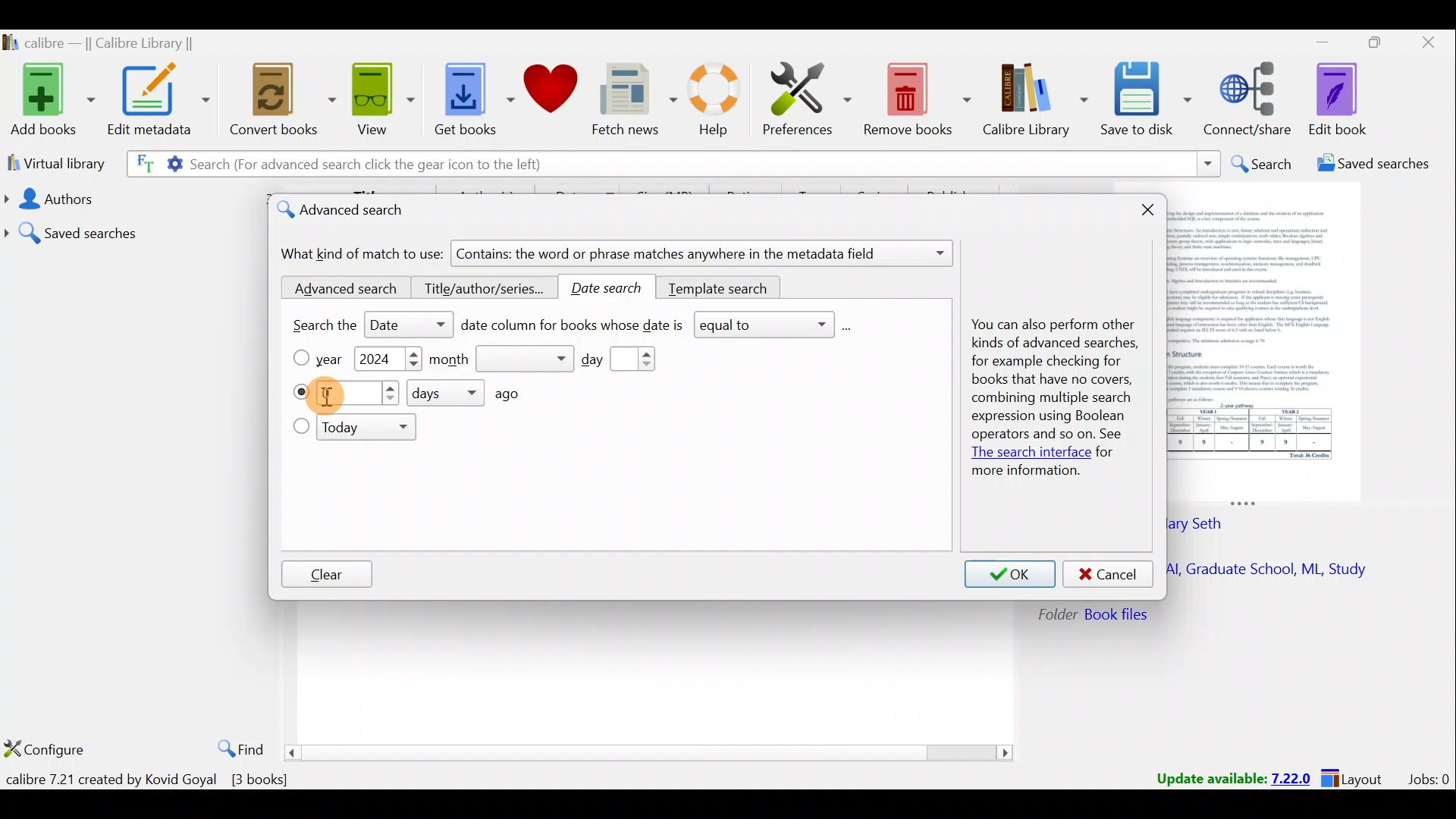  Describe the element at coordinates (485, 290) in the screenshot. I see `Title/author/series` at that location.